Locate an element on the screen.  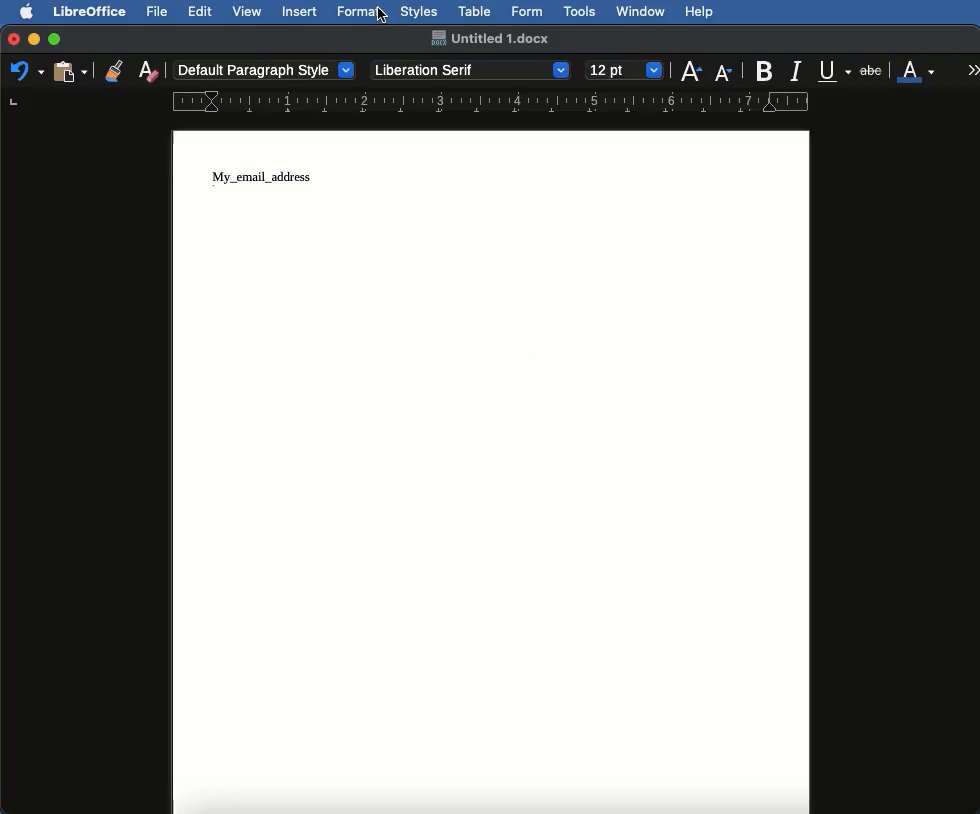
Ruler is located at coordinates (512, 102).